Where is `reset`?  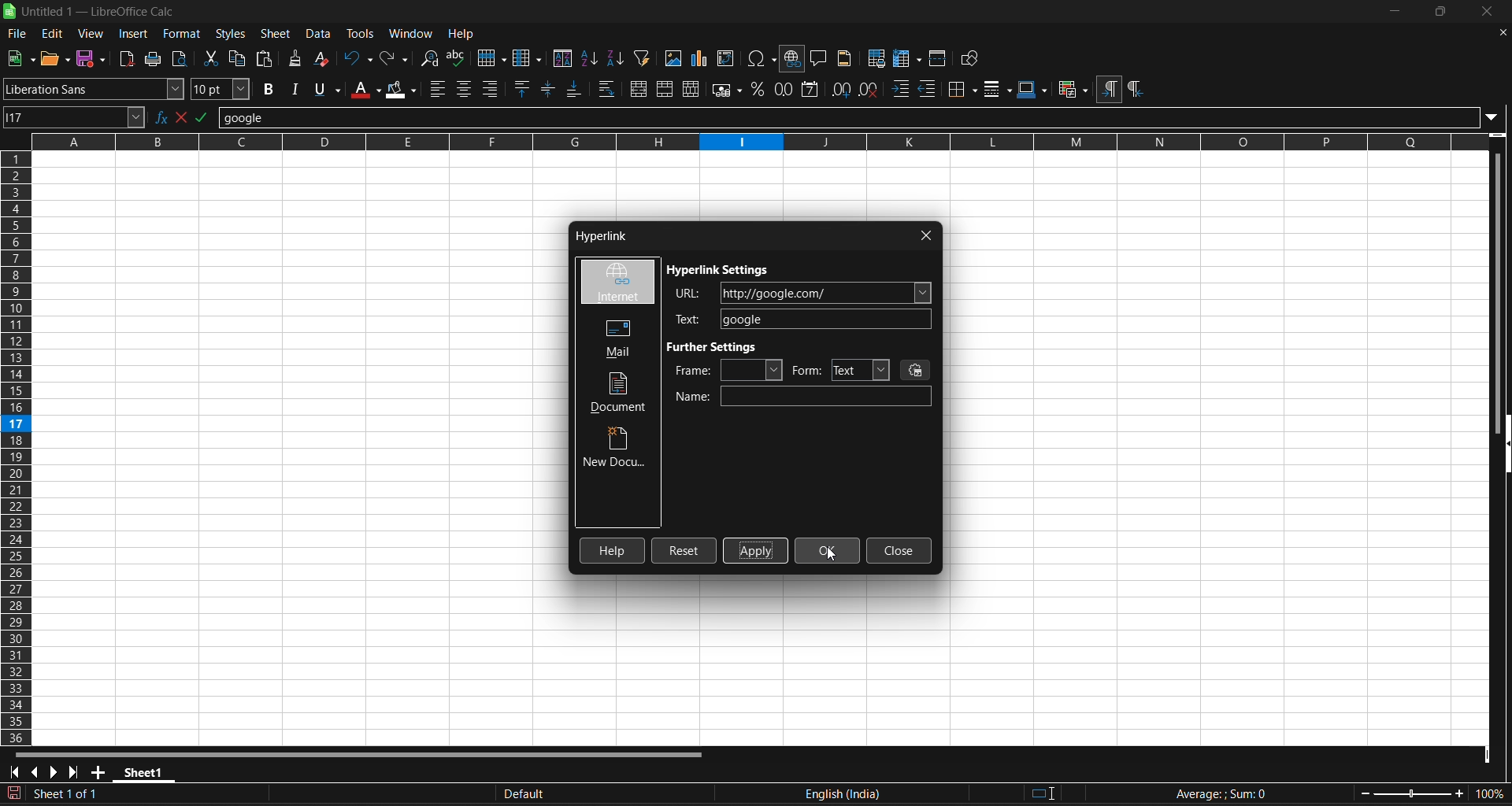
reset is located at coordinates (684, 551).